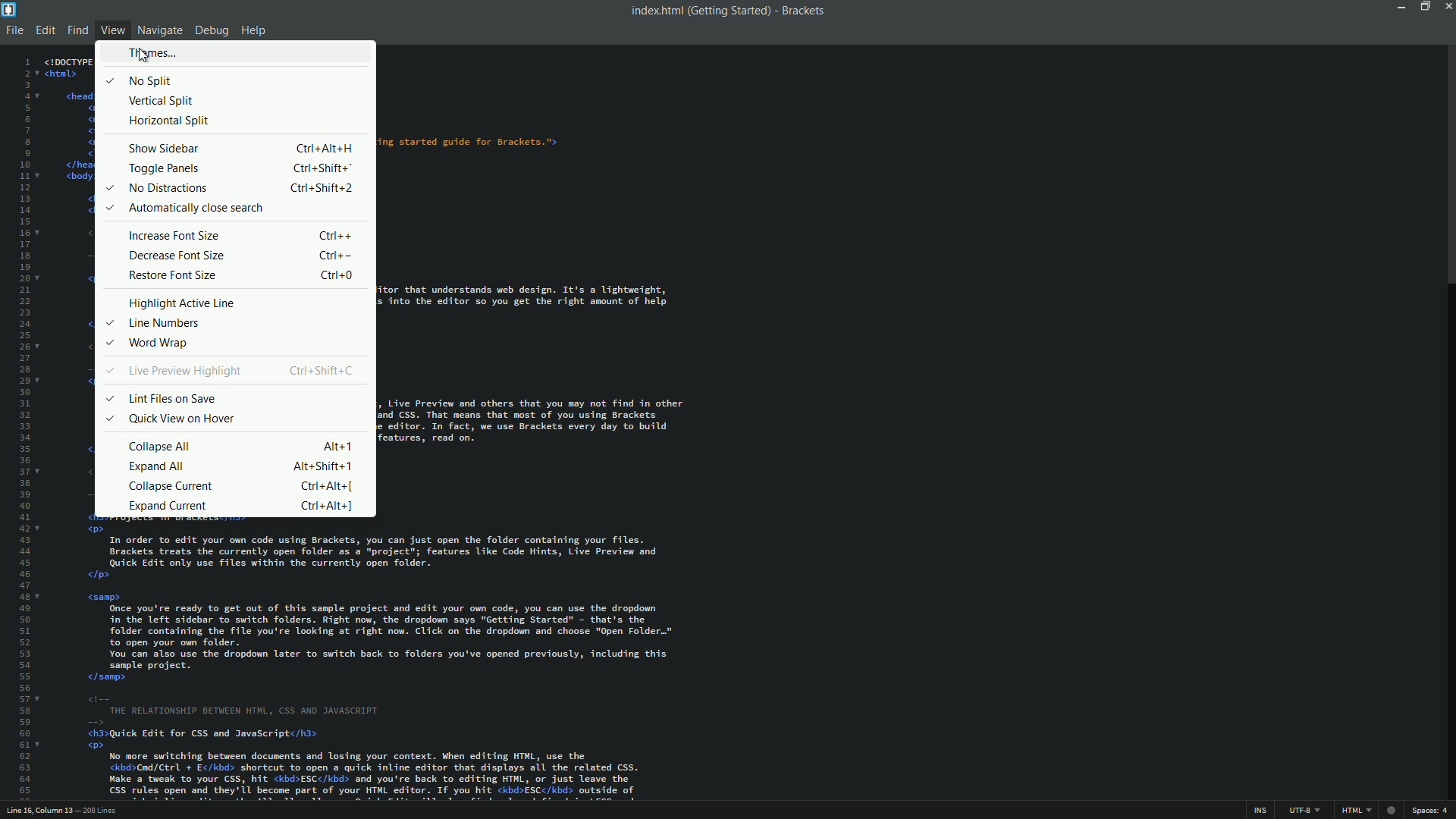  I want to click on automatically close search, so click(194, 209).